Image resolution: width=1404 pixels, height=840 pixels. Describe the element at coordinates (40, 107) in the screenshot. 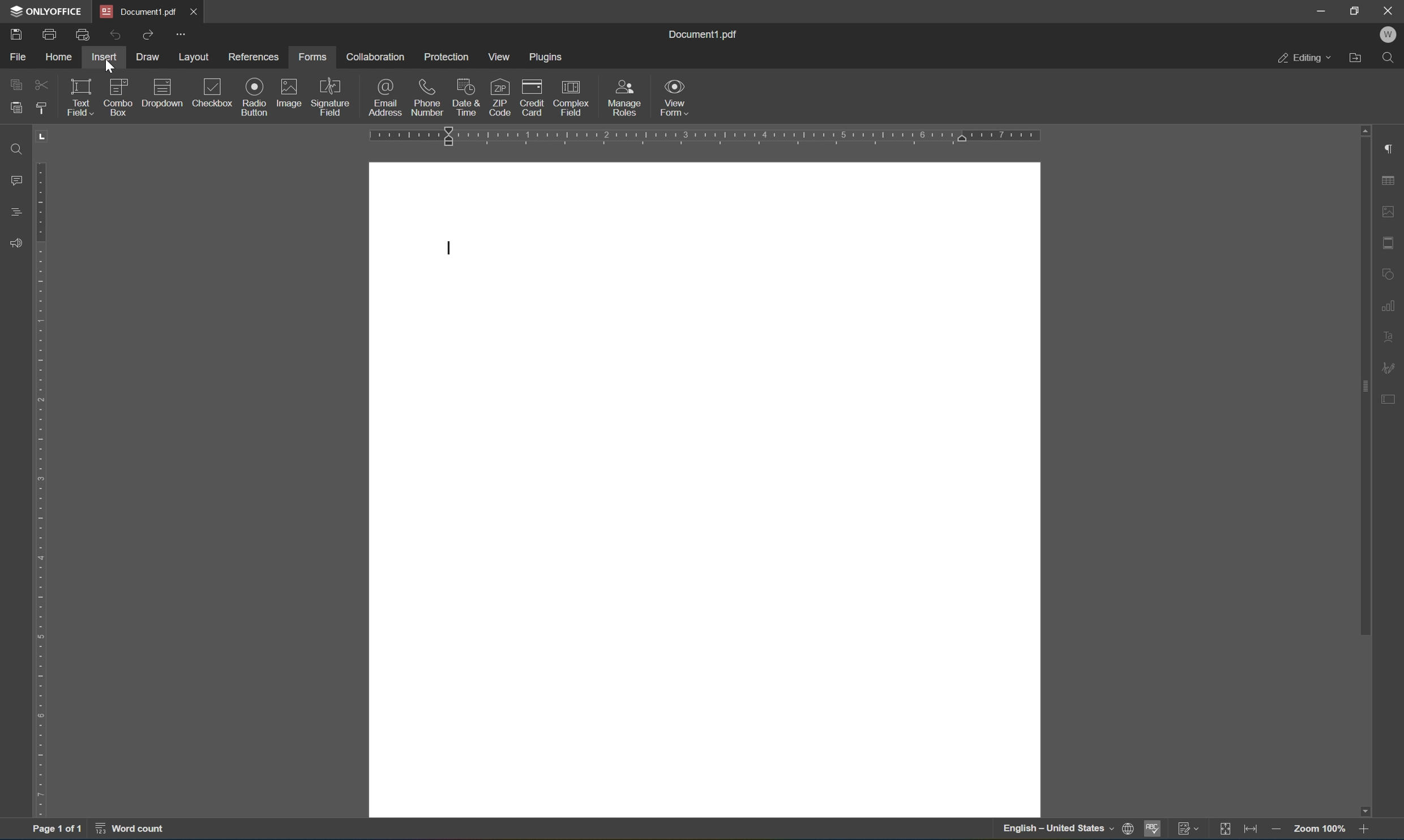

I see `copy style` at that location.